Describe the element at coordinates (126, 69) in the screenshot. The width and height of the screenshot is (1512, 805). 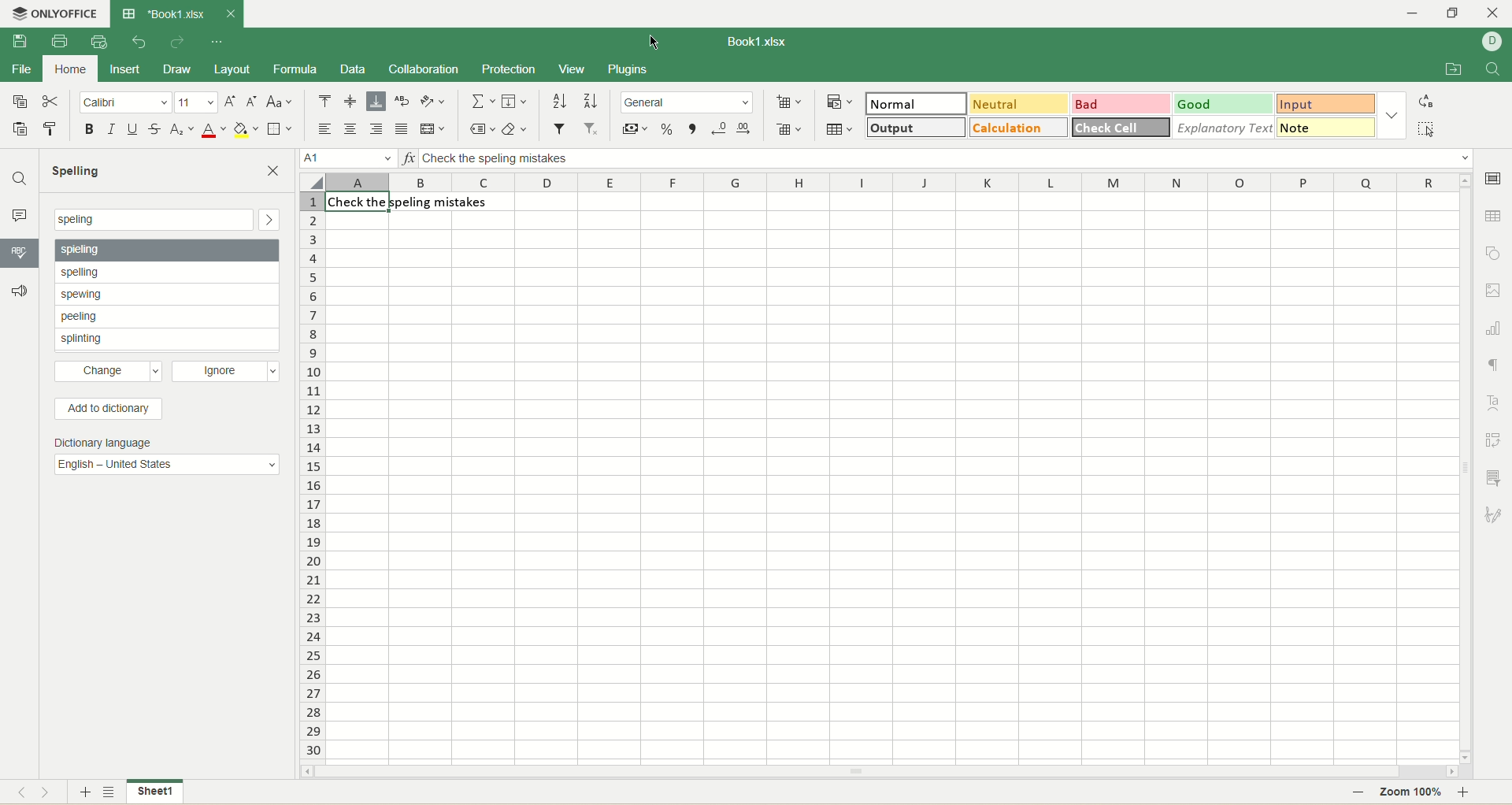
I see `insert` at that location.